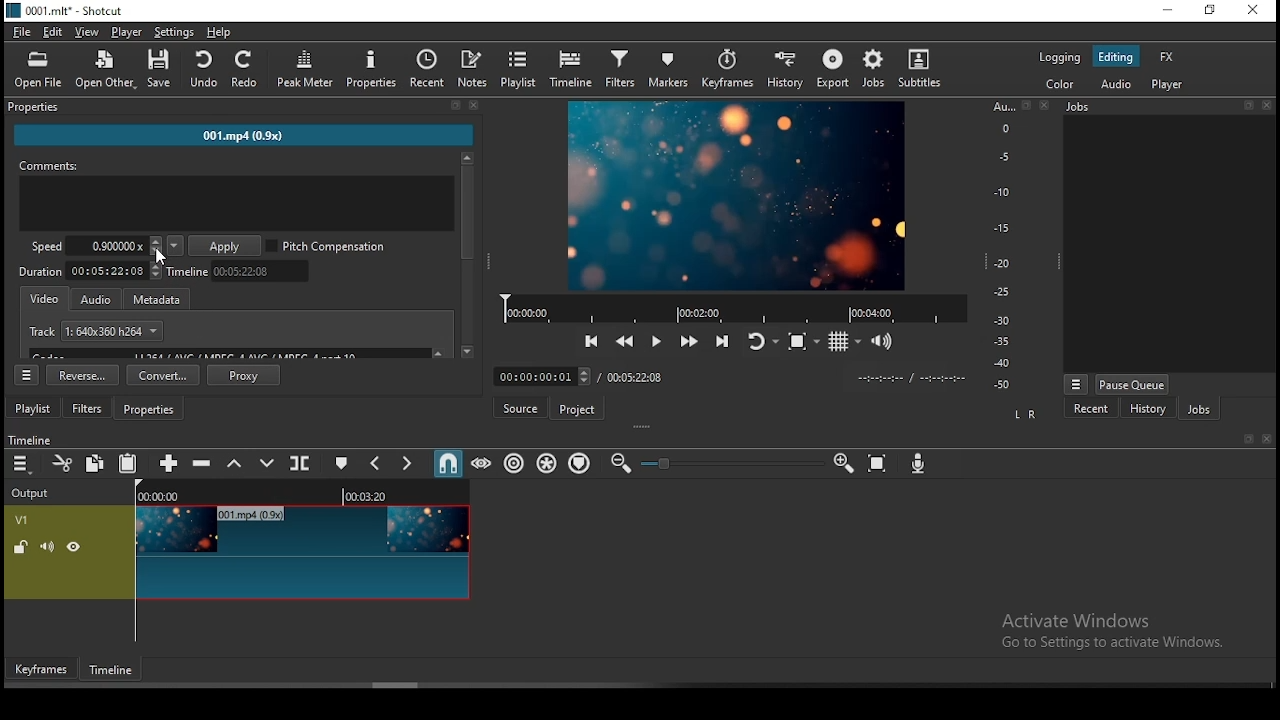 The image size is (1280, 720). Describe the element at coordinates (65, 11) in the screenshot. I see `icon and file name` at that location.